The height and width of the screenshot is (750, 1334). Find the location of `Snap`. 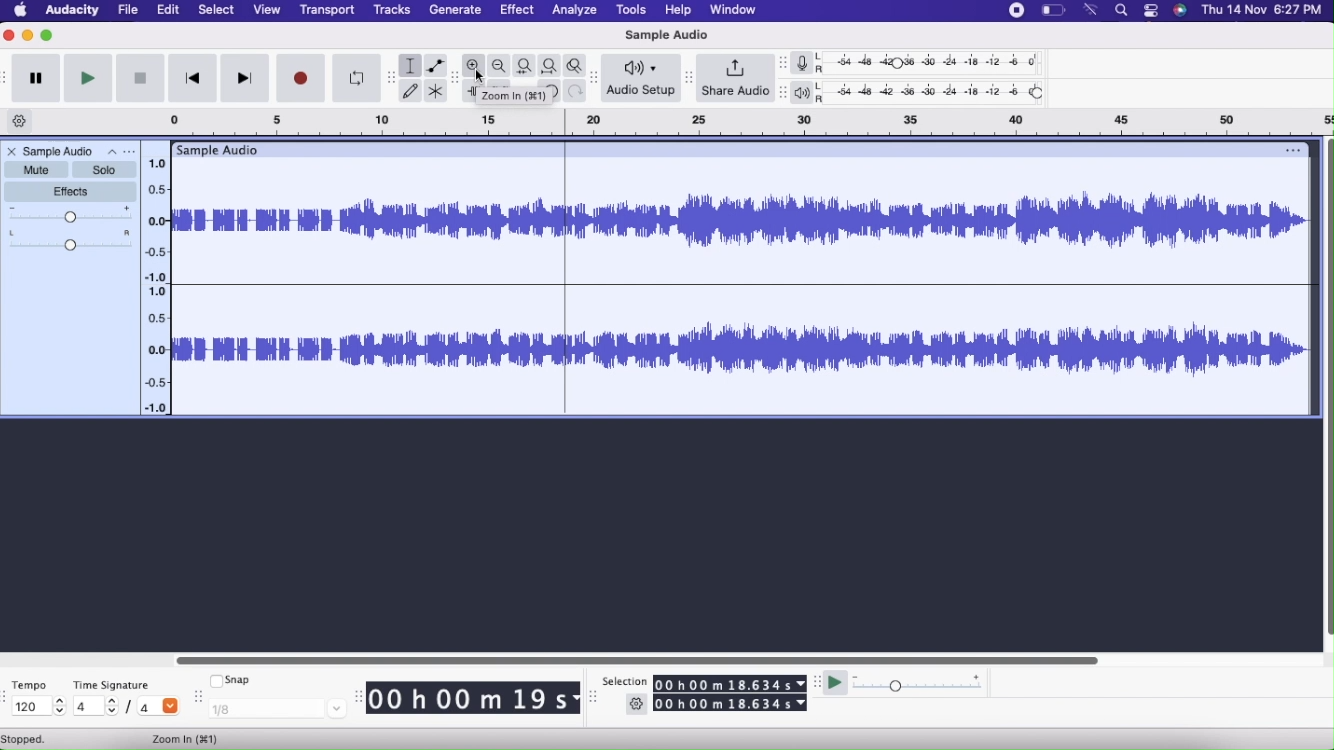

Snap is located at coordinates (234, 681).